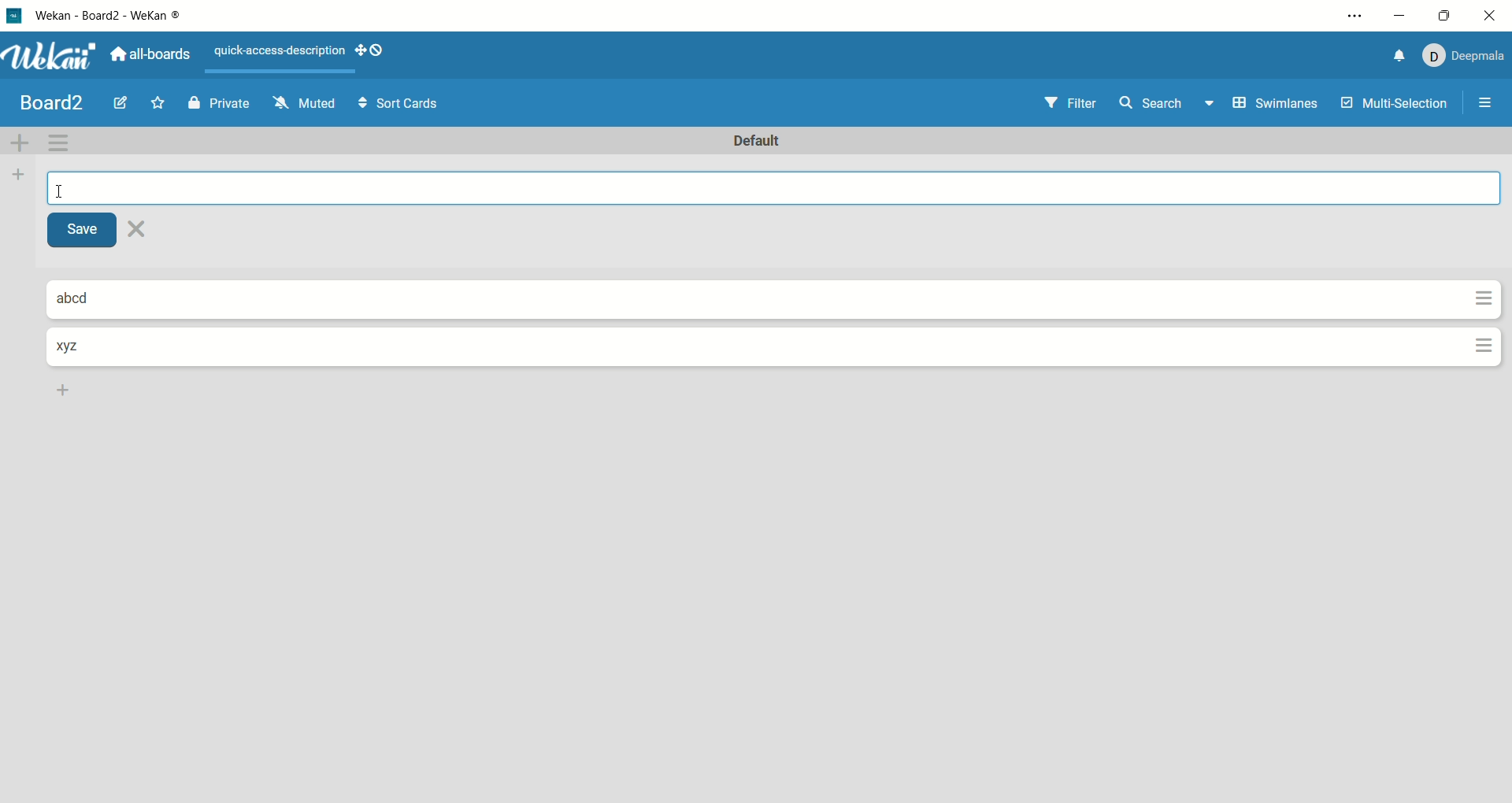 The image size is (1512, 803). Describe the element at coordinates (1354, 18) in the screenshot. I see `settings and more` at that location.